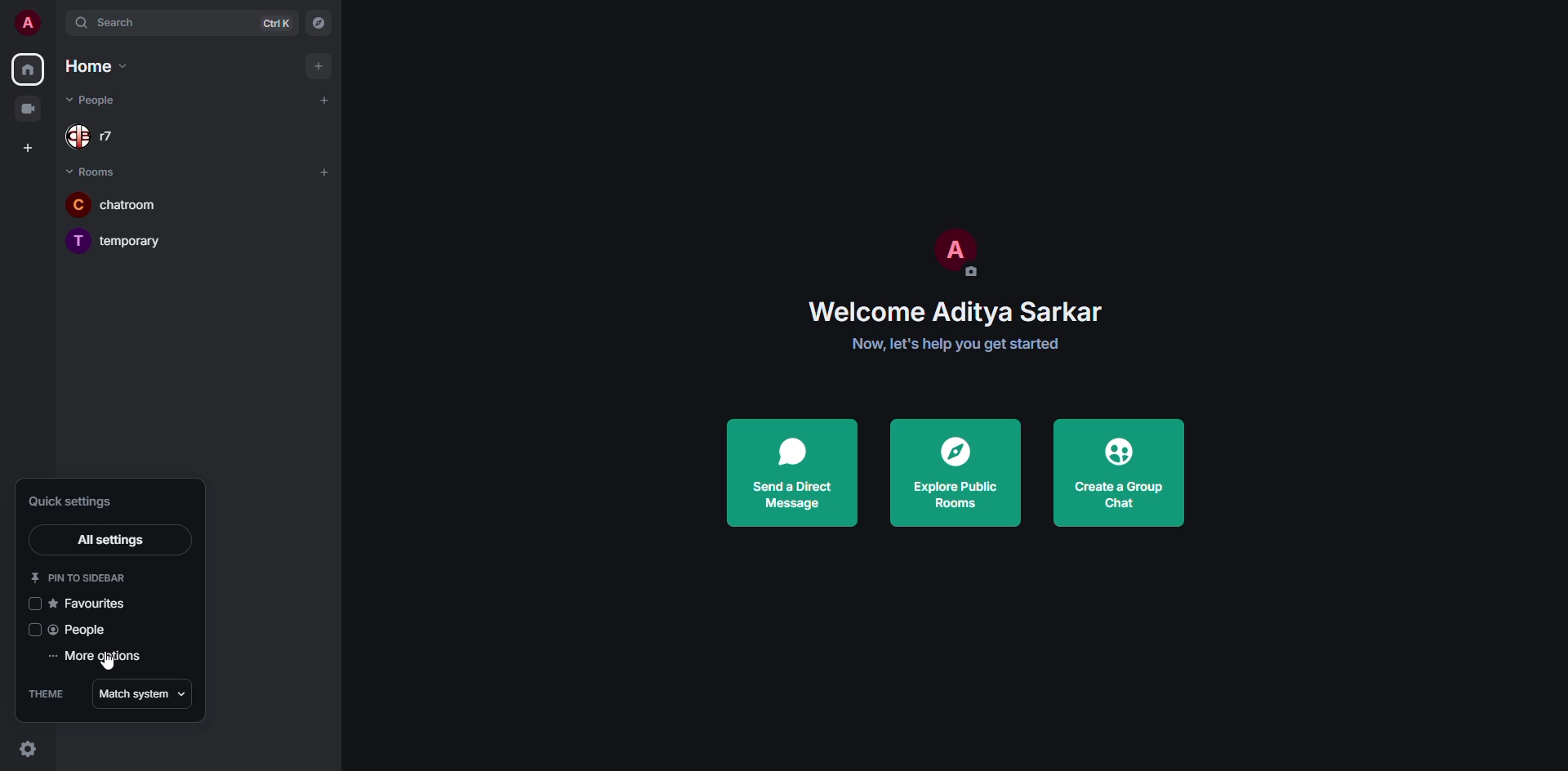 Image resolution: width=1568 pixels, height=771 pixels. I want to click on add, so click(317, 64).